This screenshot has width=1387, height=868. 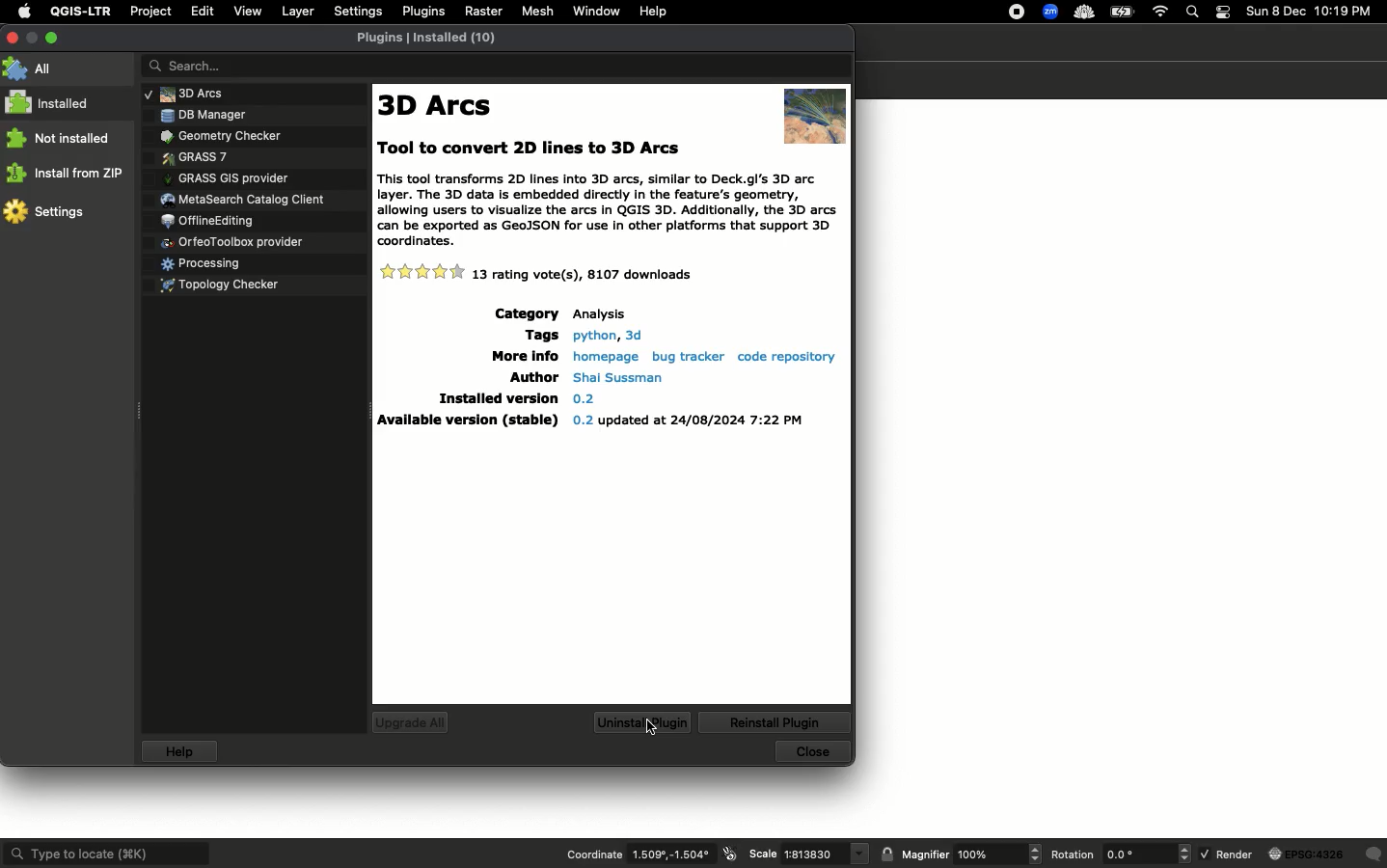 I want to click on Scale, so click(x=805, y=854).